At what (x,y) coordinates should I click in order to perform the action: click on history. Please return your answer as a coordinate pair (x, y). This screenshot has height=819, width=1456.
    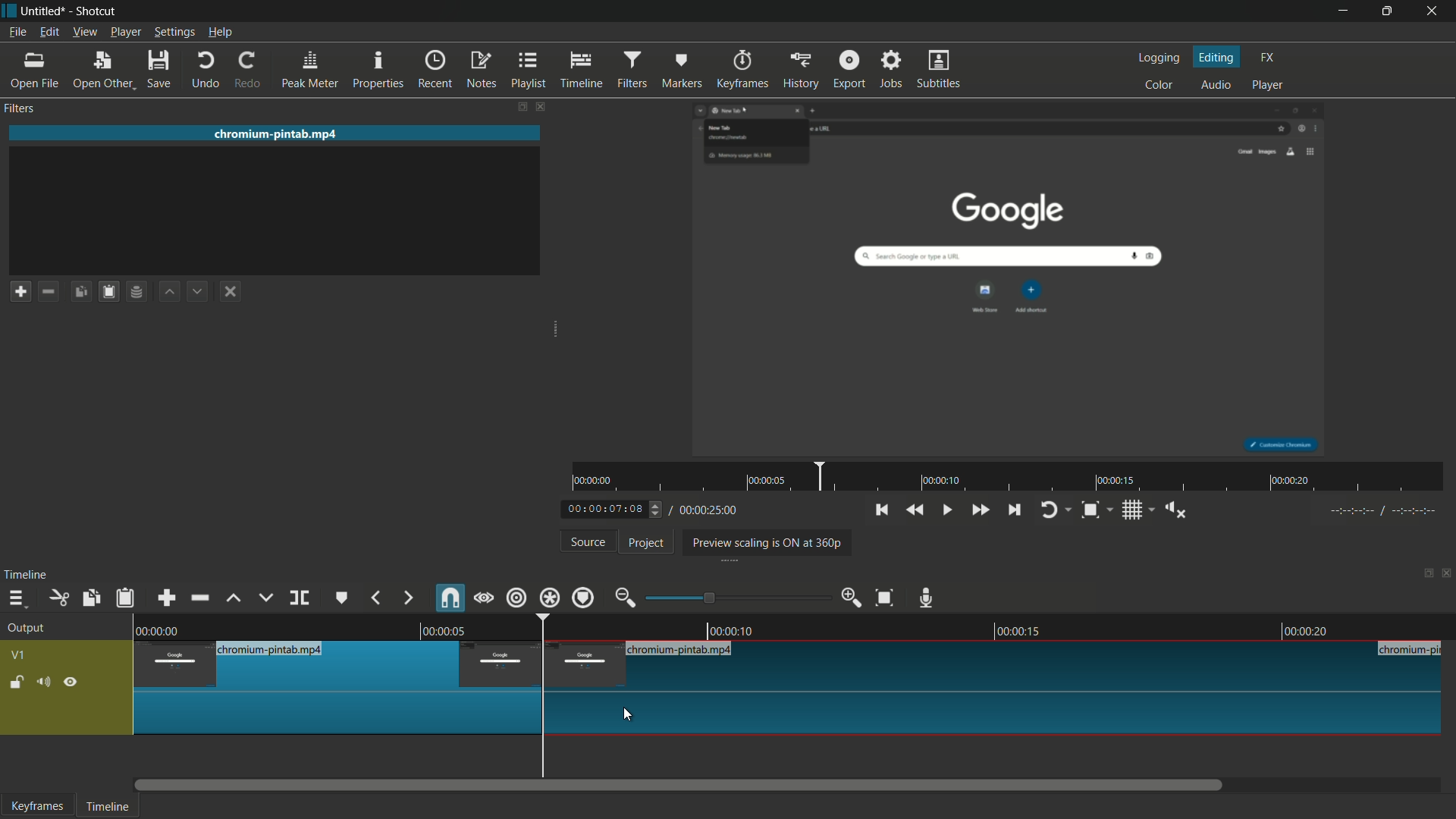
    Looking at the image, I should click on (800, 69).